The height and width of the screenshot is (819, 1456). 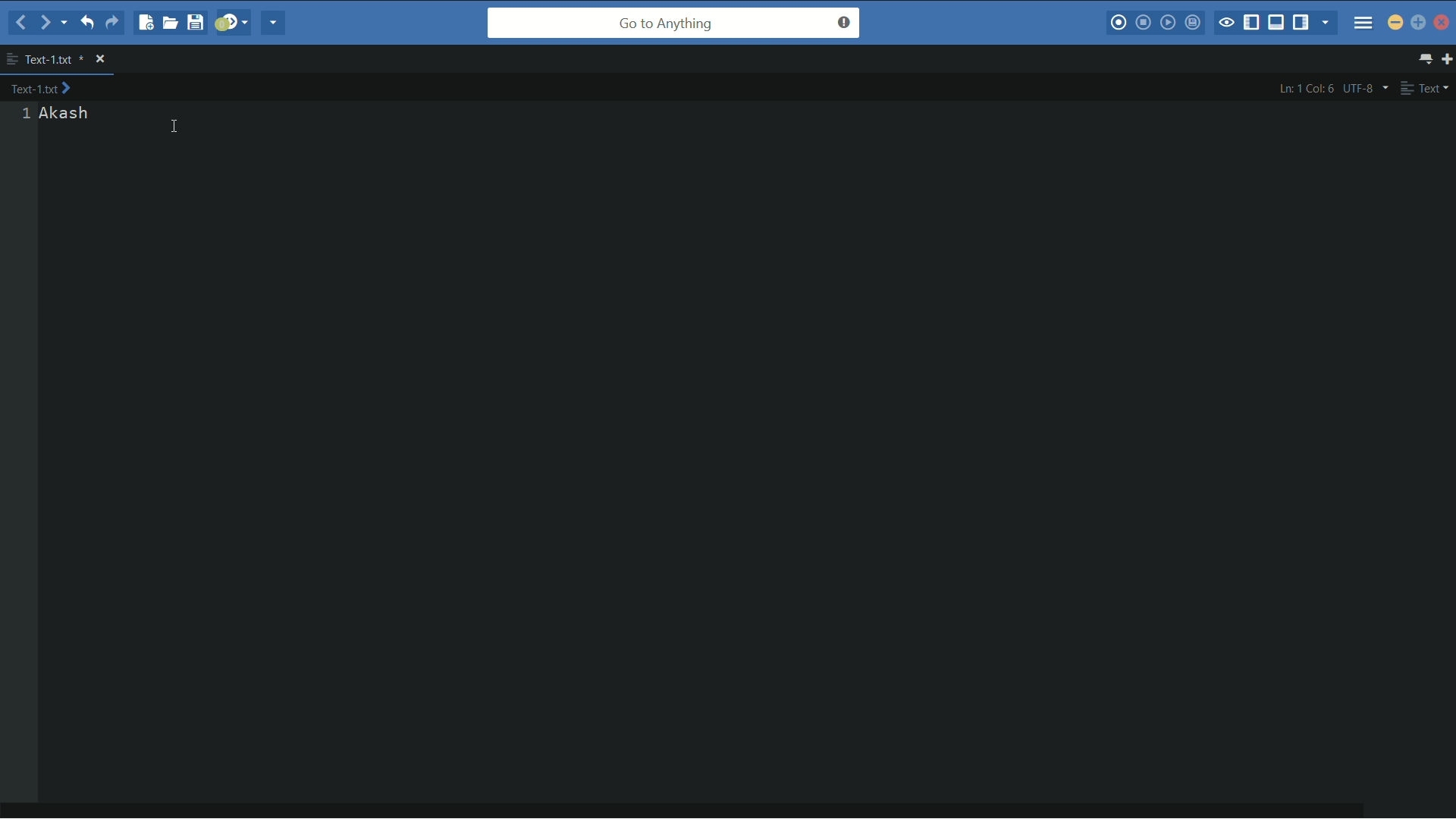 I want to click on redo, so click(x=115, y=22).